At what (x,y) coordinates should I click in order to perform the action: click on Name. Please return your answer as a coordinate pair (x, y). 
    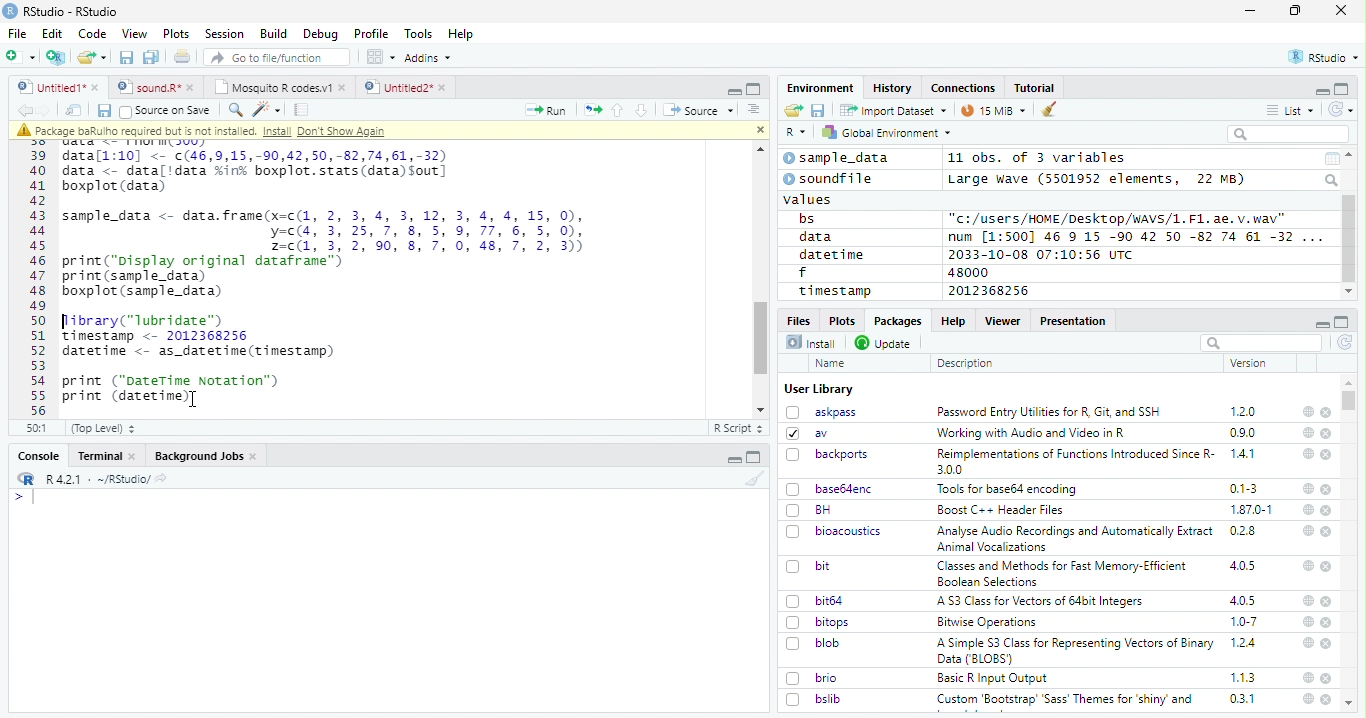
    Looking at the image, I should click on (832, 364).